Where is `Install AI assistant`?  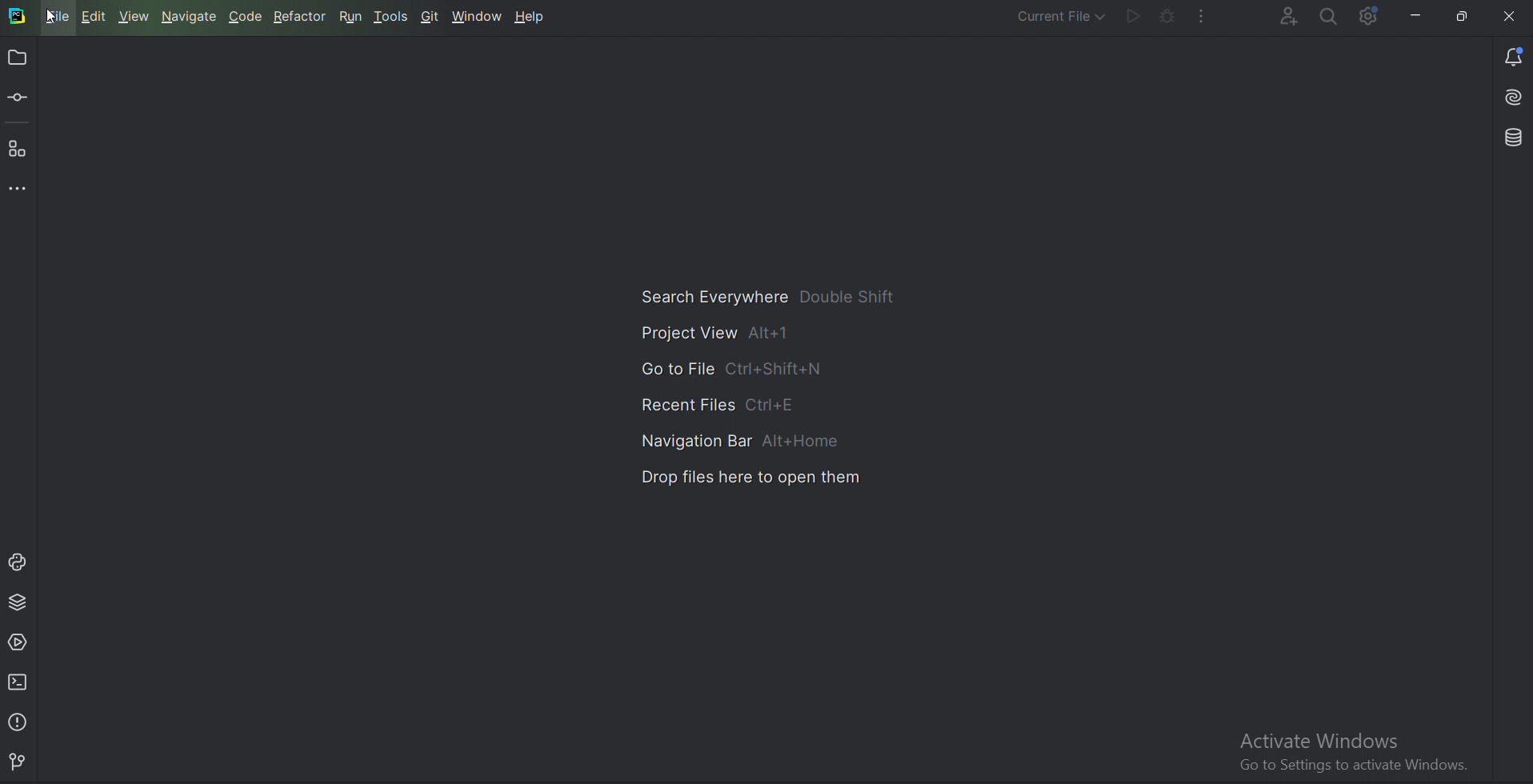
Install AI assistant is located at coordinates (1500, 98).